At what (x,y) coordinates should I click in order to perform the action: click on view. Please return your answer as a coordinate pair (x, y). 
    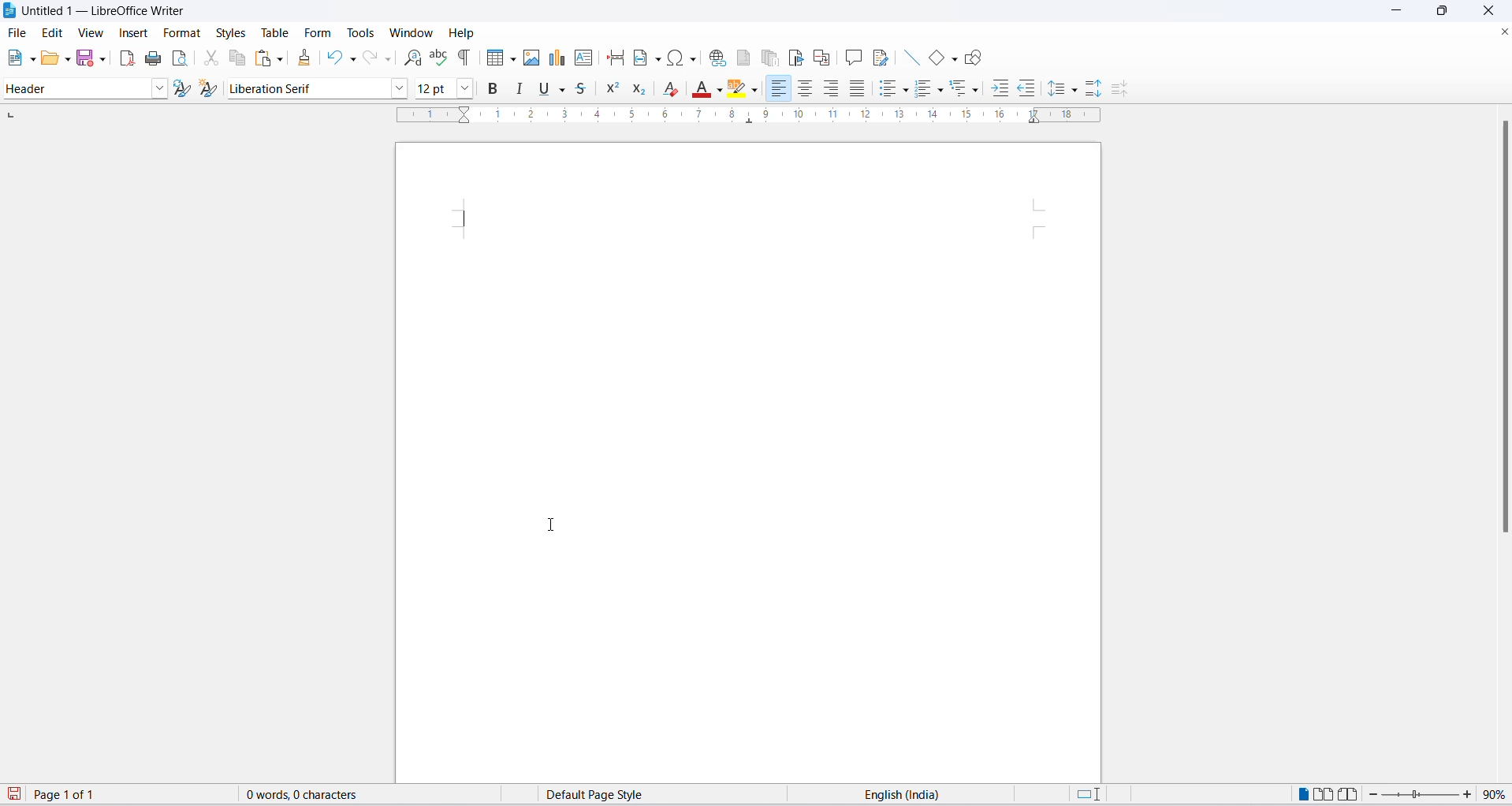
    Looking at the image, I should click on (91, 32).